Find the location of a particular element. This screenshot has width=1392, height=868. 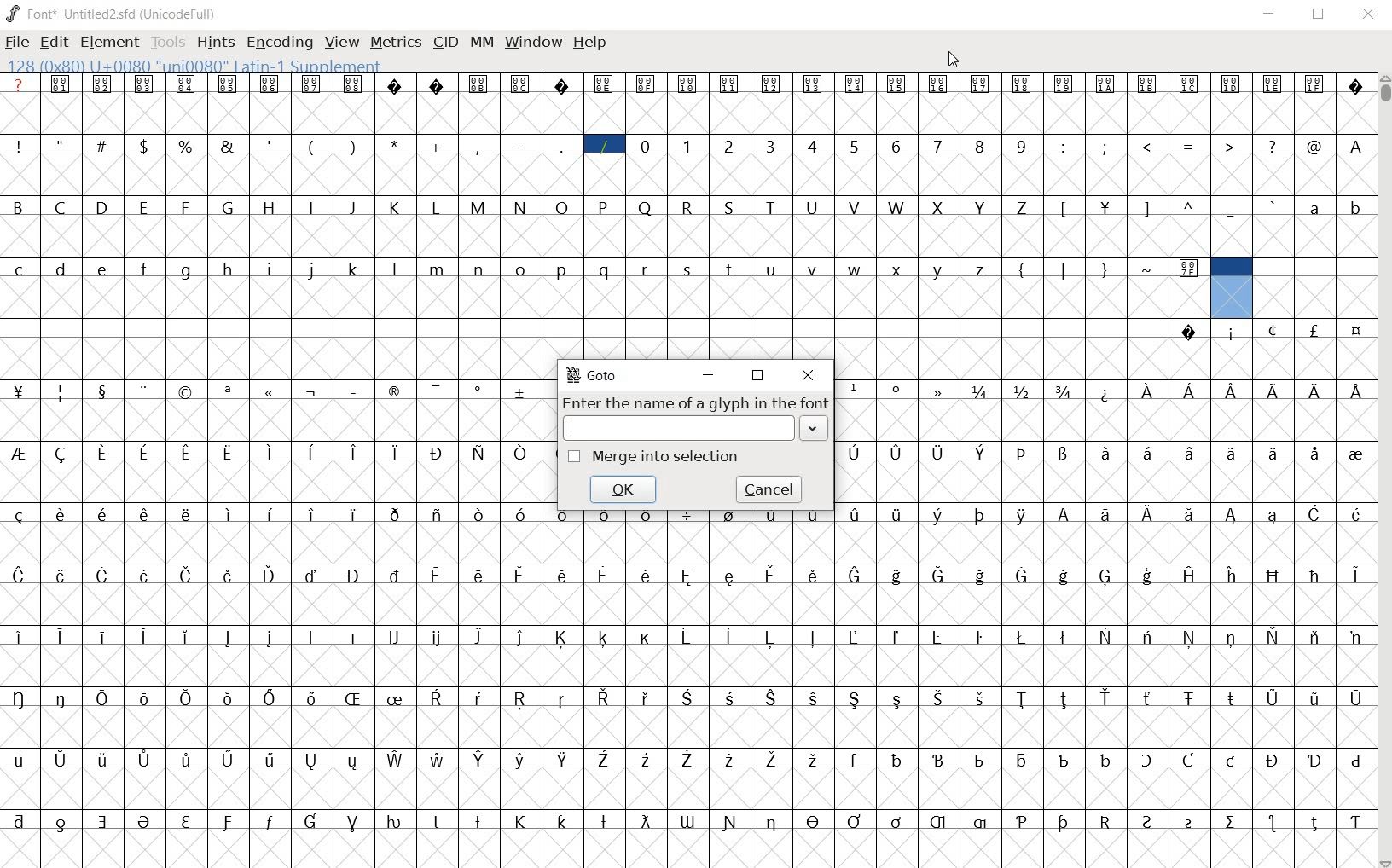

Symbol is located at coordinates (63, 85).